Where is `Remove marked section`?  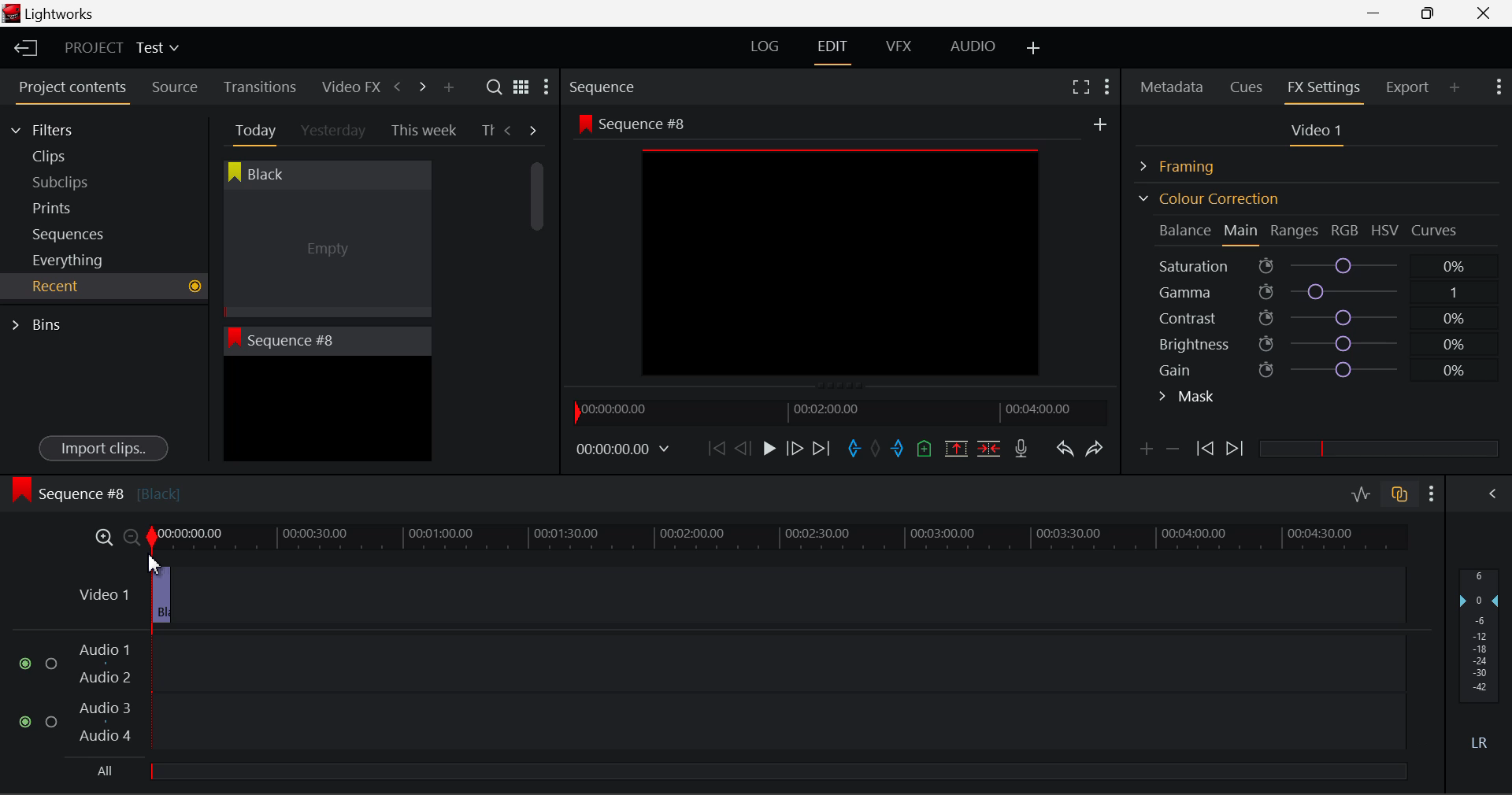 Remove marked section is located at coordinates (955, 447).